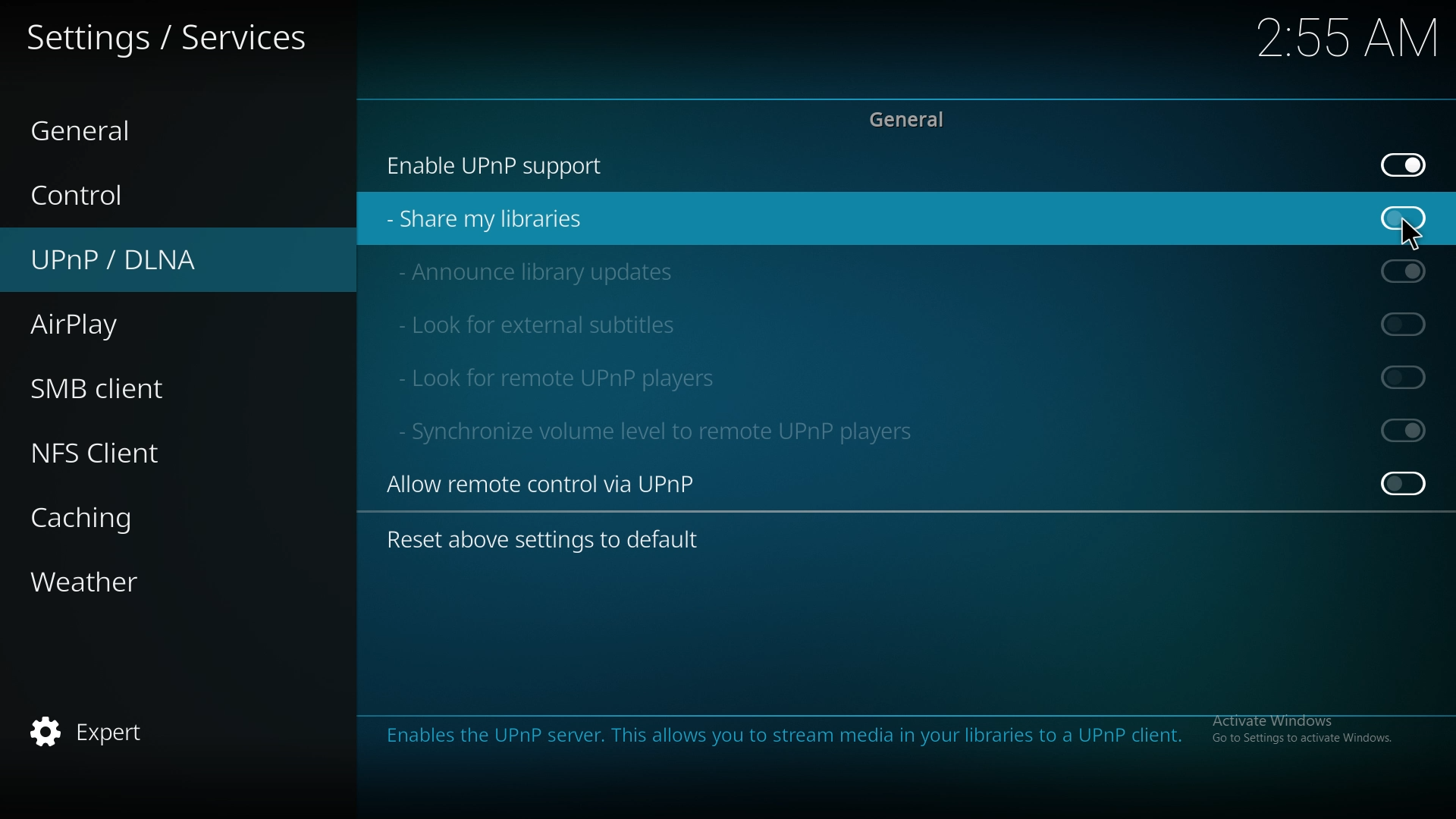  What do you see at coordinates (915, 121) in the screenshot?
I see `general` at bounding box center [915, 121].